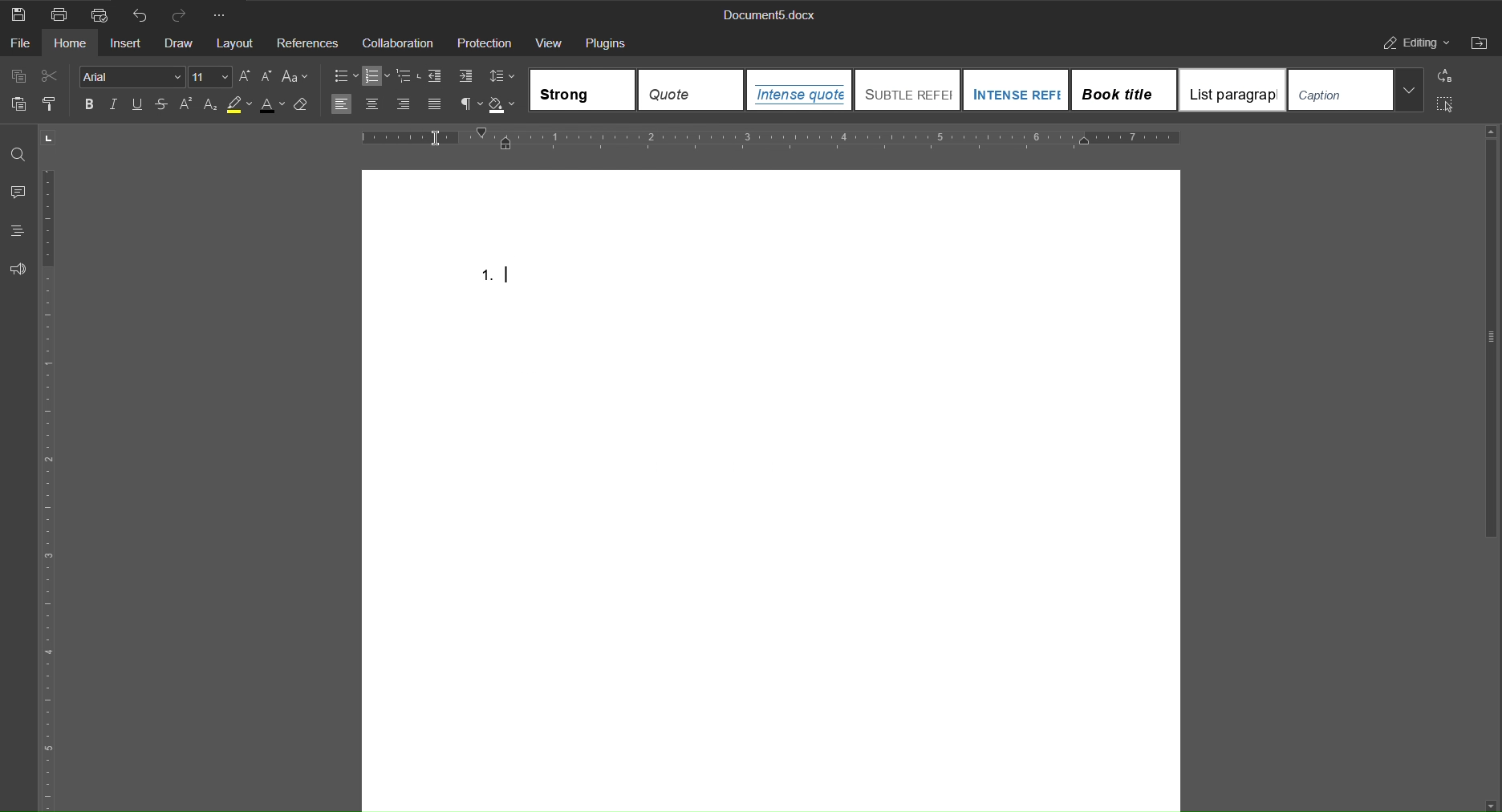 This screenshot has height=812, width=1502. I want to click on insertion cursor, so click(436, 138).